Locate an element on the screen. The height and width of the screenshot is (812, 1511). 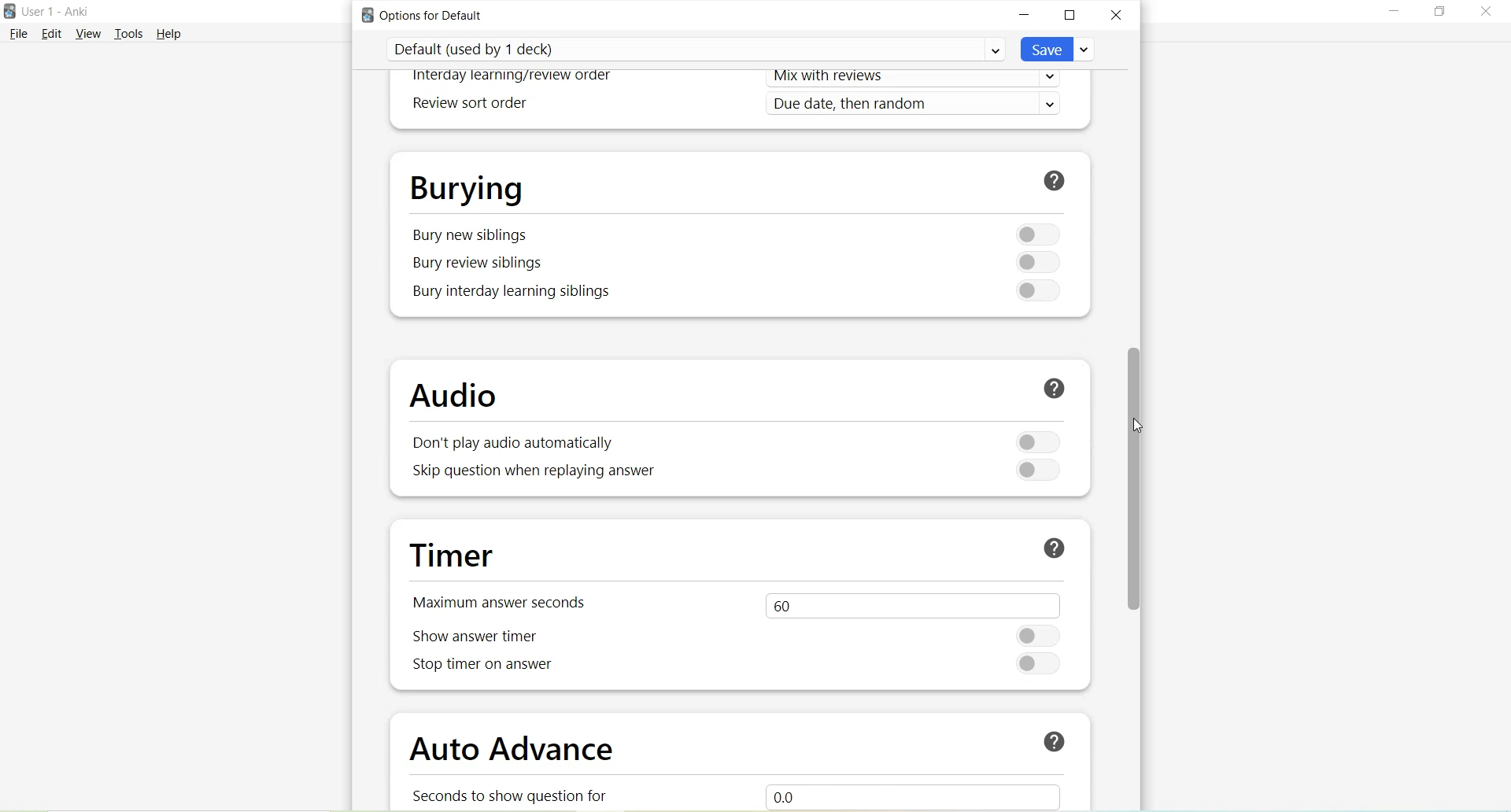
Timer is located at coordinates (458, 556).